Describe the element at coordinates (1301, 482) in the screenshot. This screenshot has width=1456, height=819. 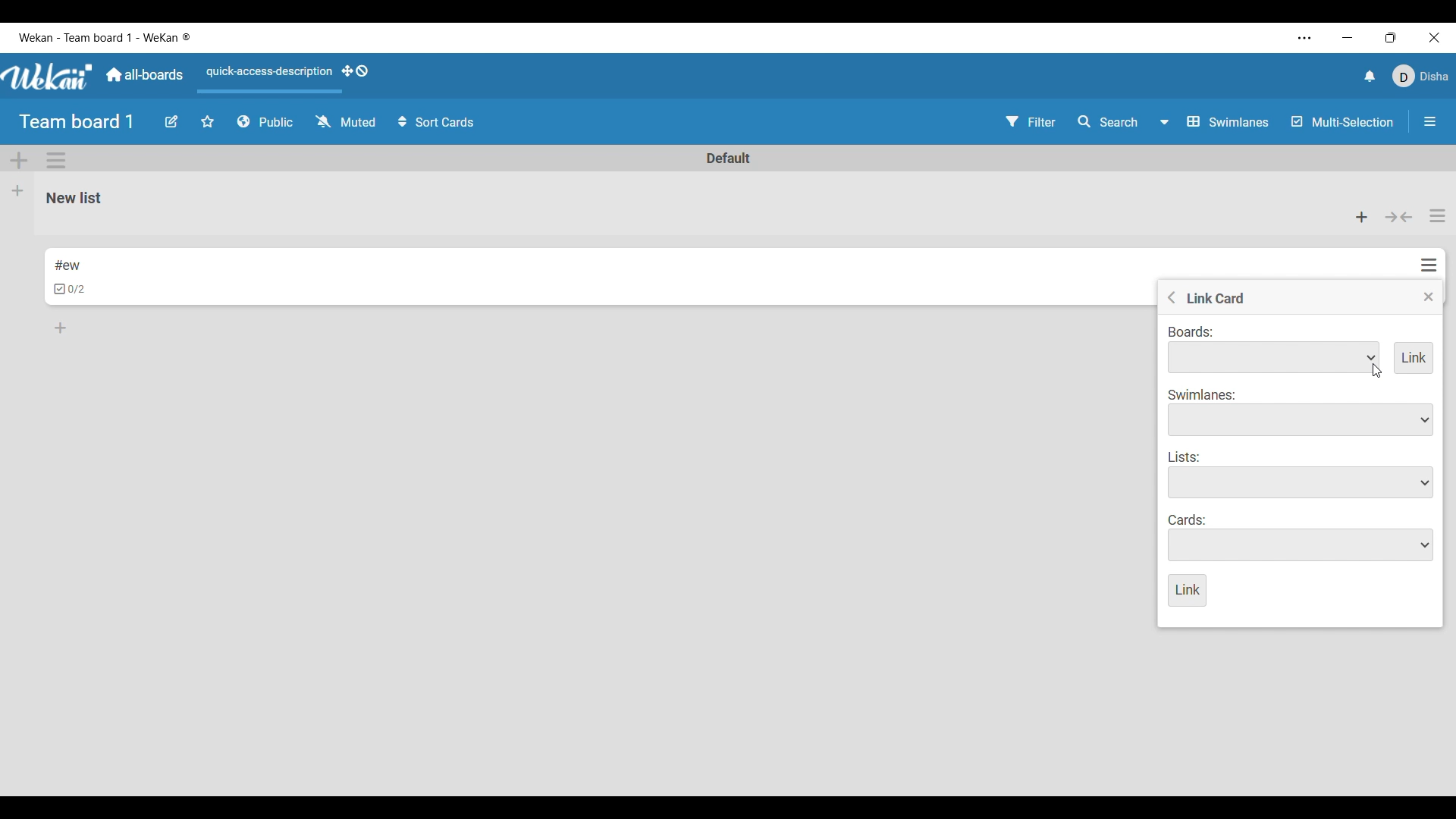
I see `List options` at that location.